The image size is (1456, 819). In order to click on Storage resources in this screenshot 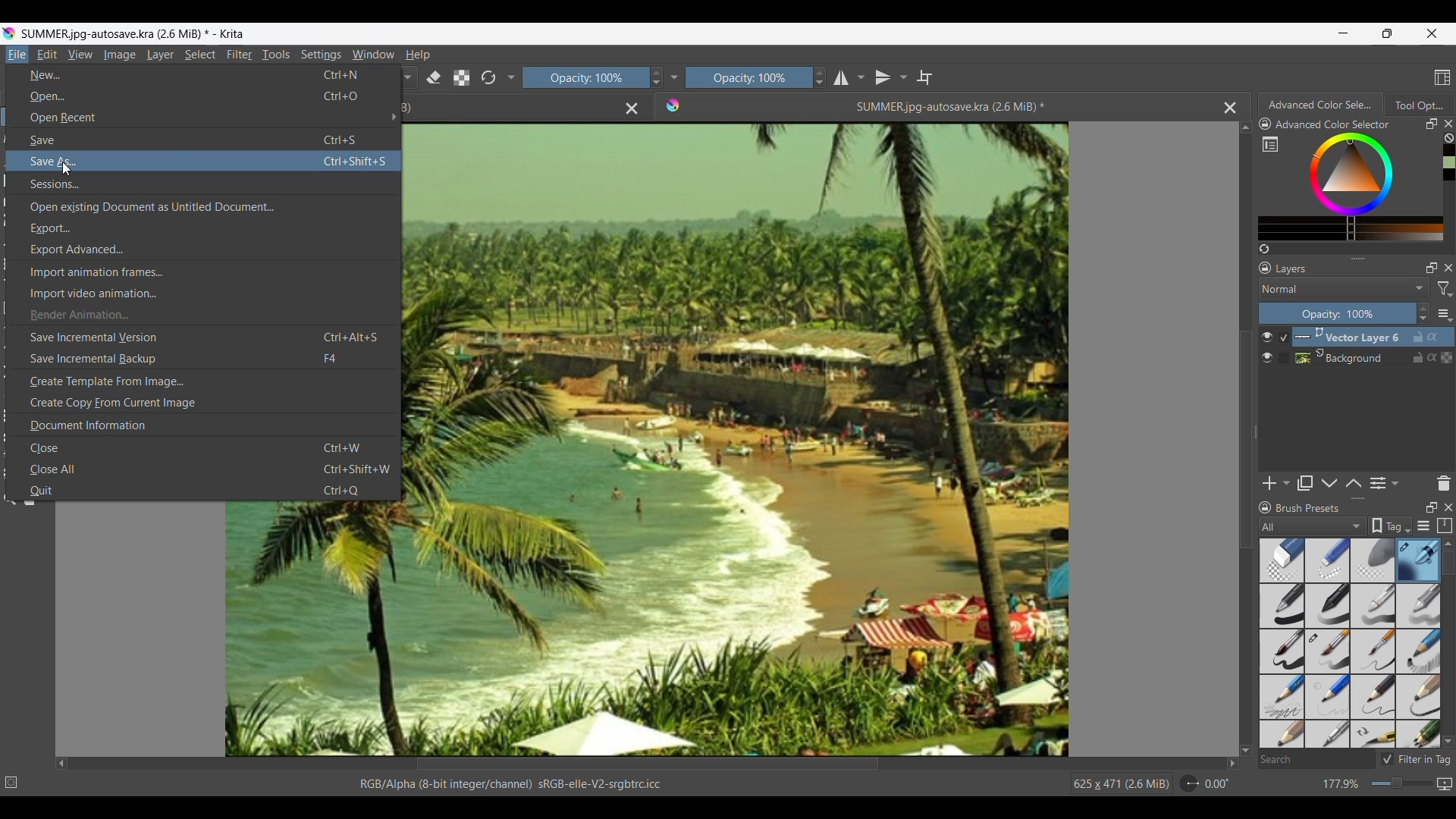, I will do `click(1444, 526)`.